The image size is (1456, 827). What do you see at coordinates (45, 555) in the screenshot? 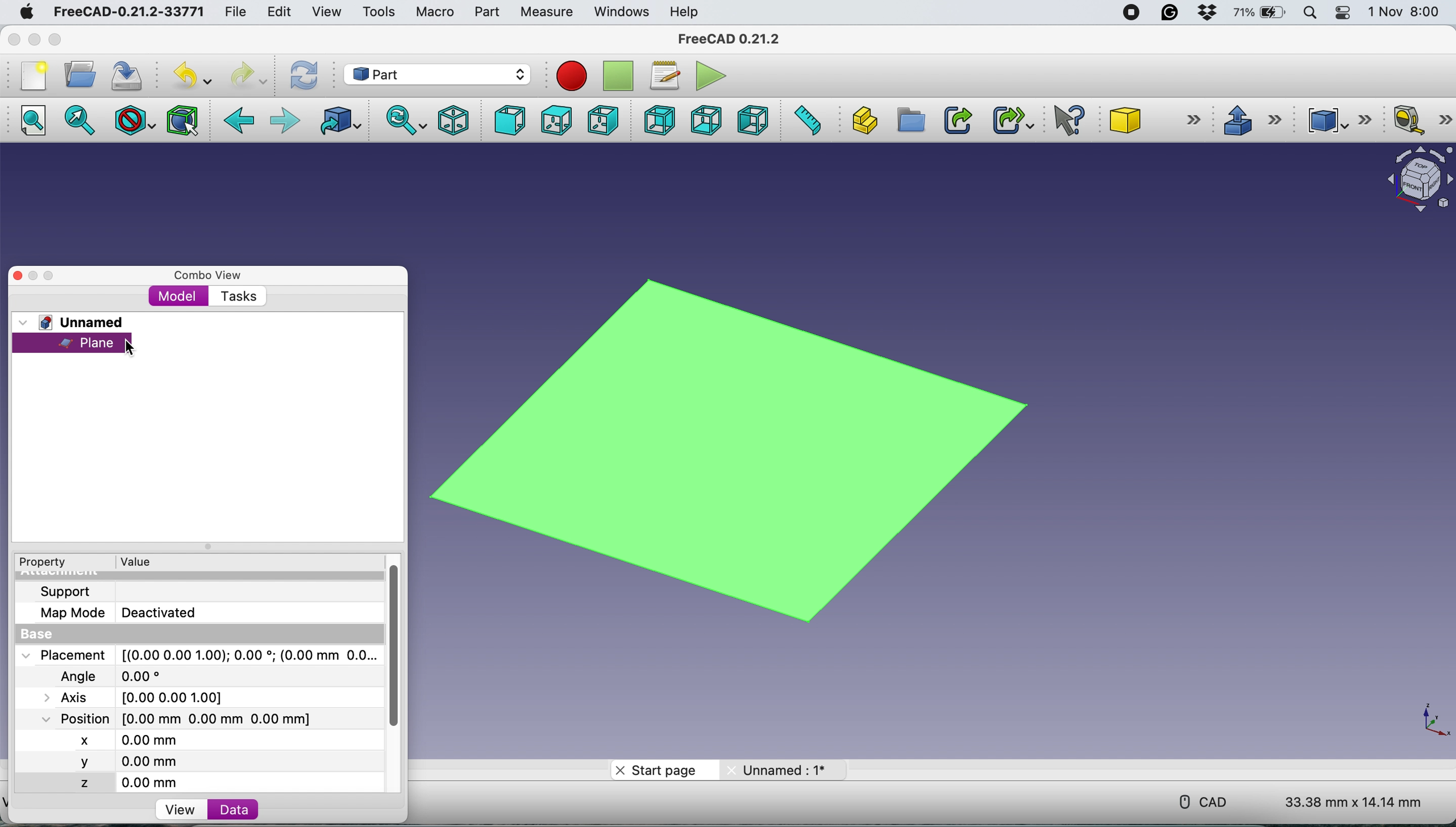
I see `Property` at bounding box center [45, 555].